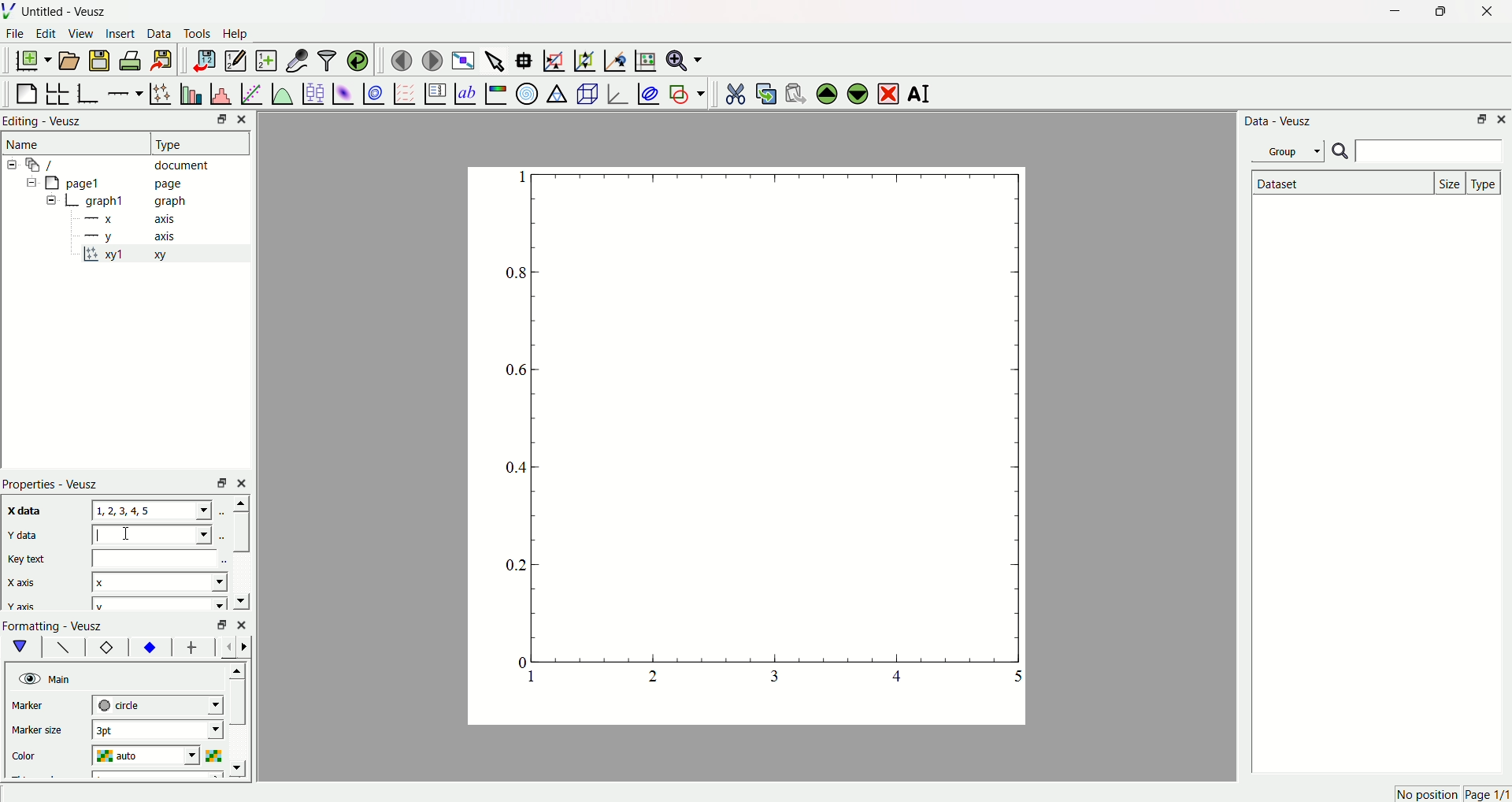  Describe the element at coordinates (244, 482) in the screenshot. I see `close` at that location.